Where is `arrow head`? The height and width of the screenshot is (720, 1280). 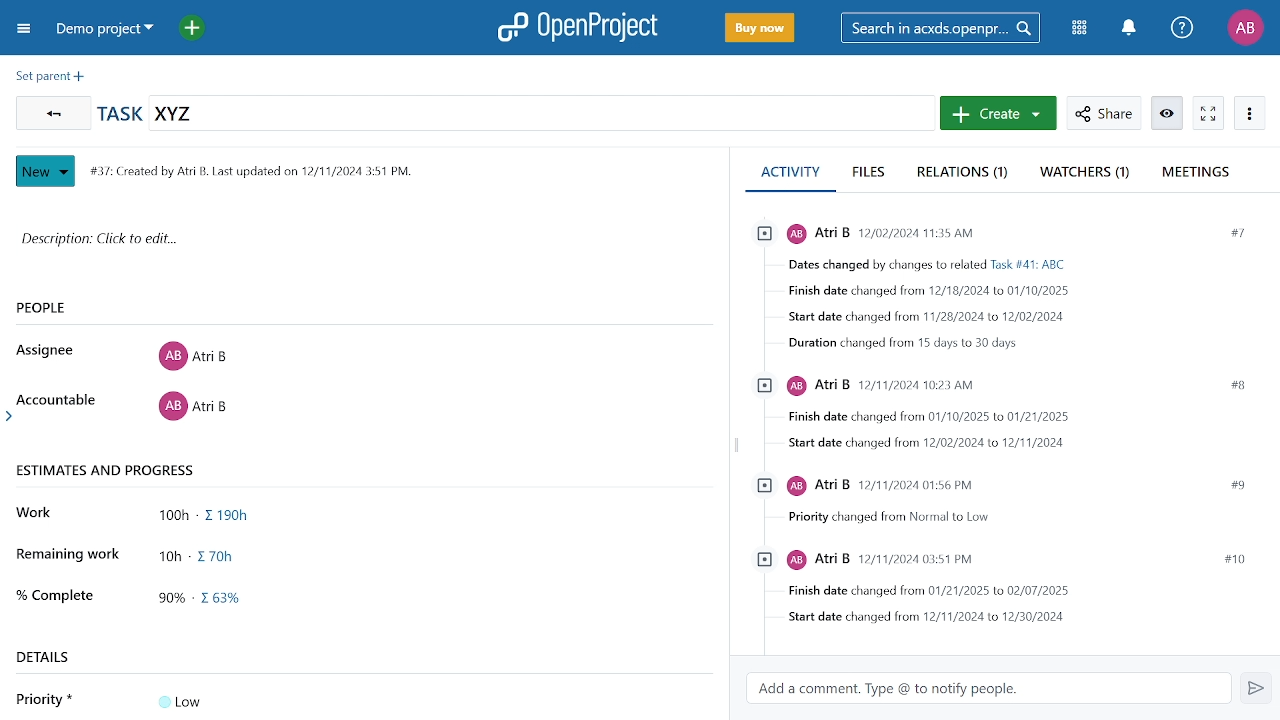 arrow head is located at coordinates (9, 418).